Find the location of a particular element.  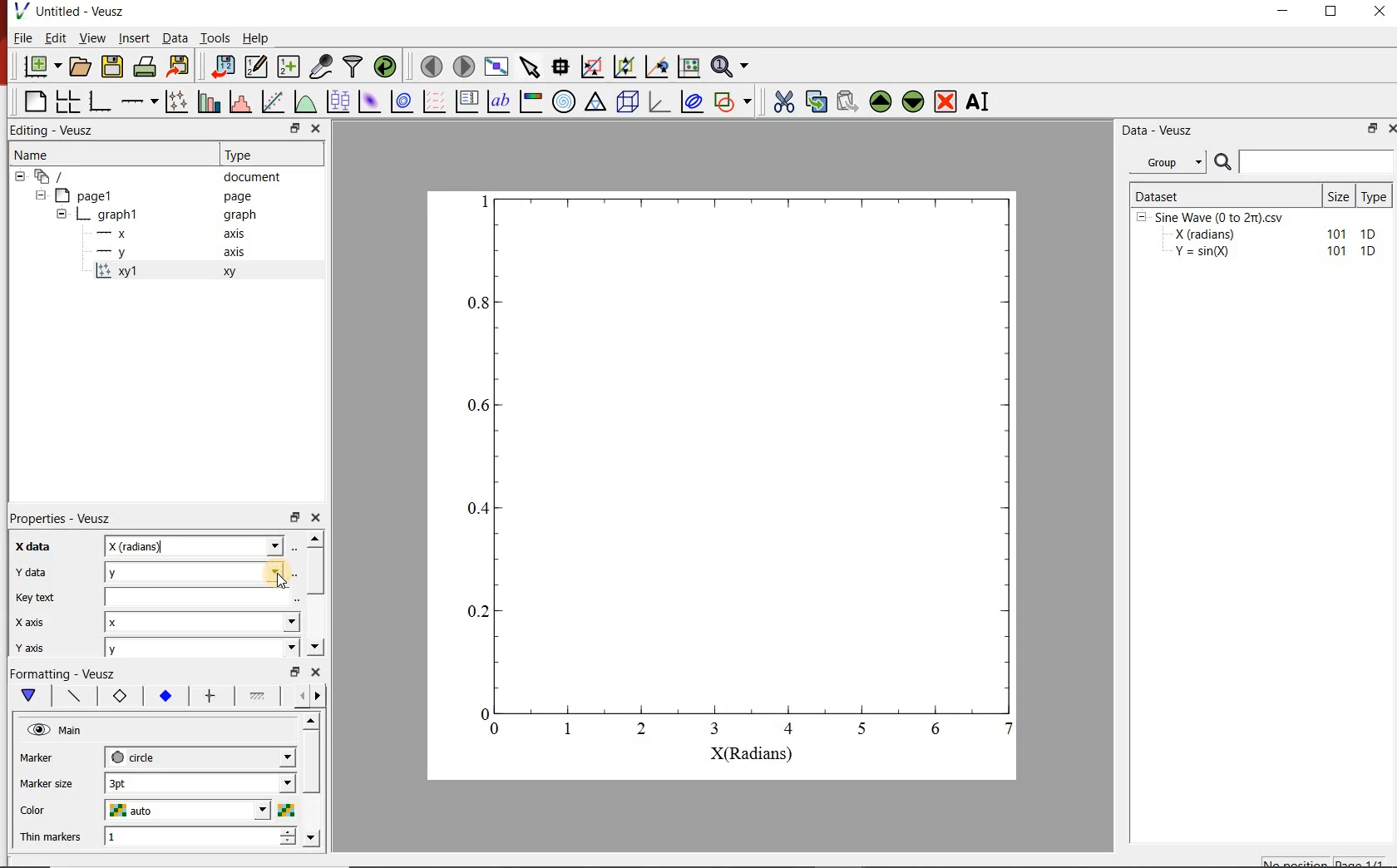

Min/Max is located at coordinates (1370, 130).